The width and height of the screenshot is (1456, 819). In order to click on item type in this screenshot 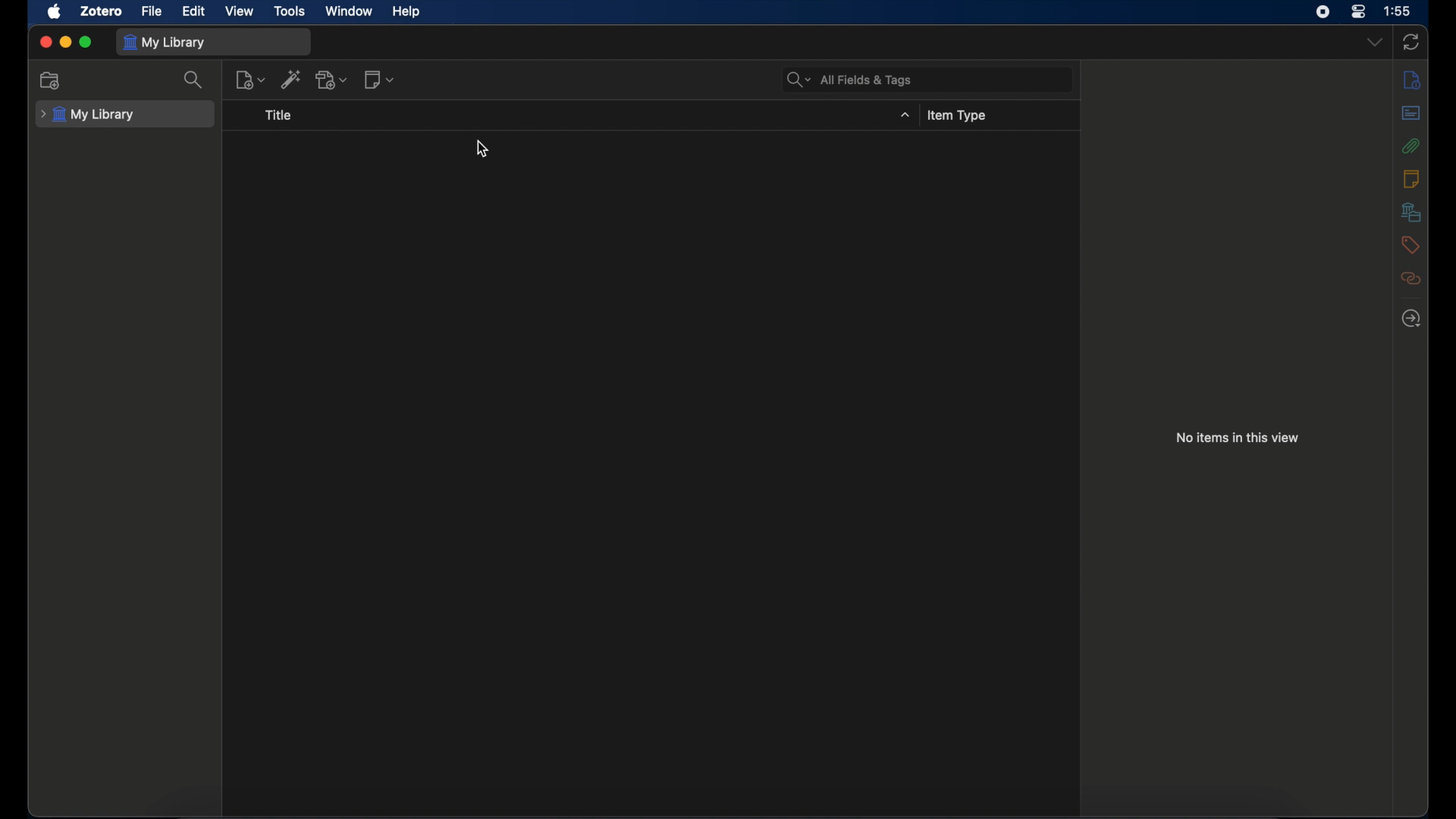, I will do `click(956, 116)`.